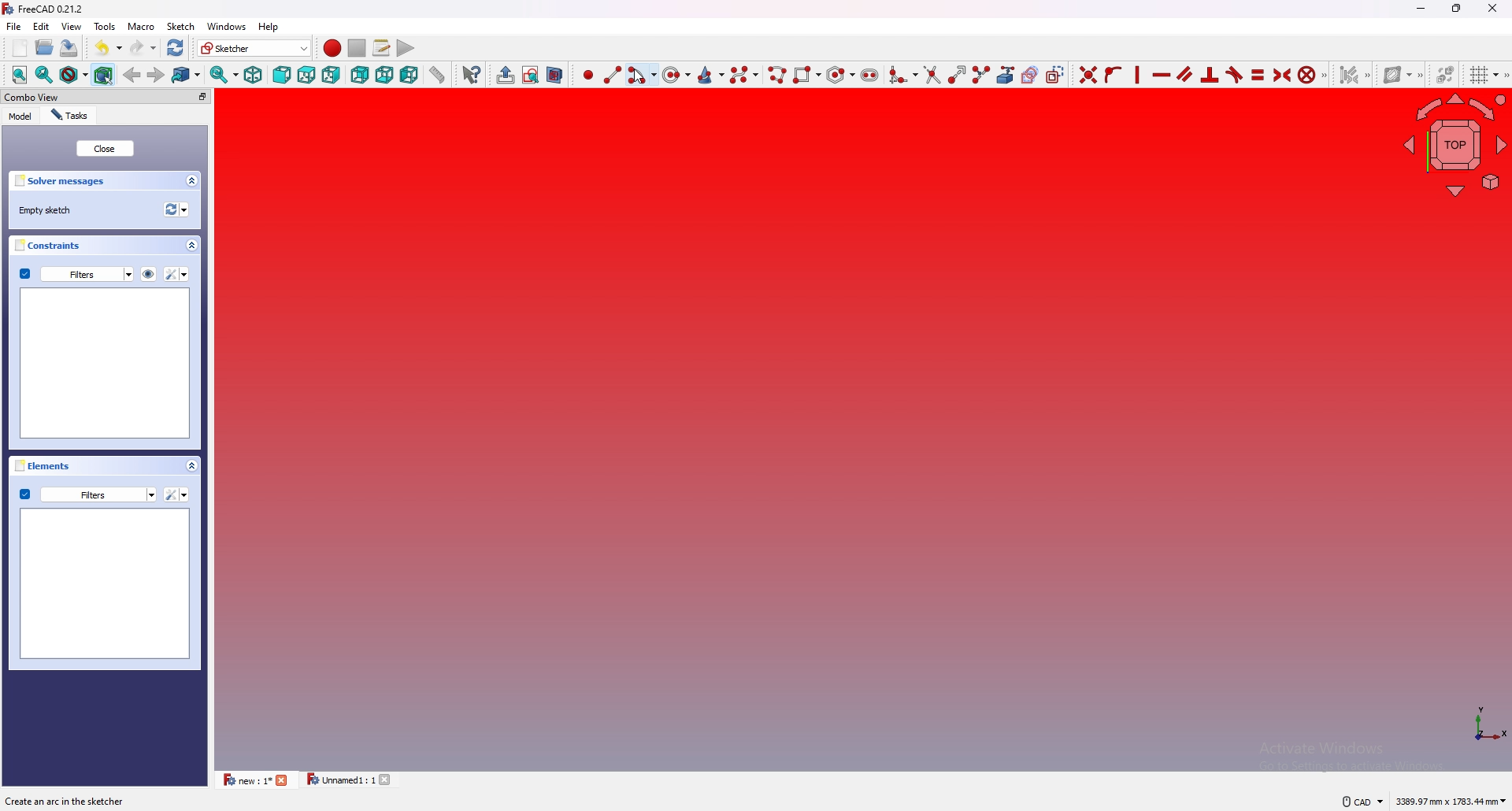 This screenshot has height=811, width=1512. What do you see at coordinates (744, 75) in the screenshot?
I see `create b spline` at bounding box center [744, 75].